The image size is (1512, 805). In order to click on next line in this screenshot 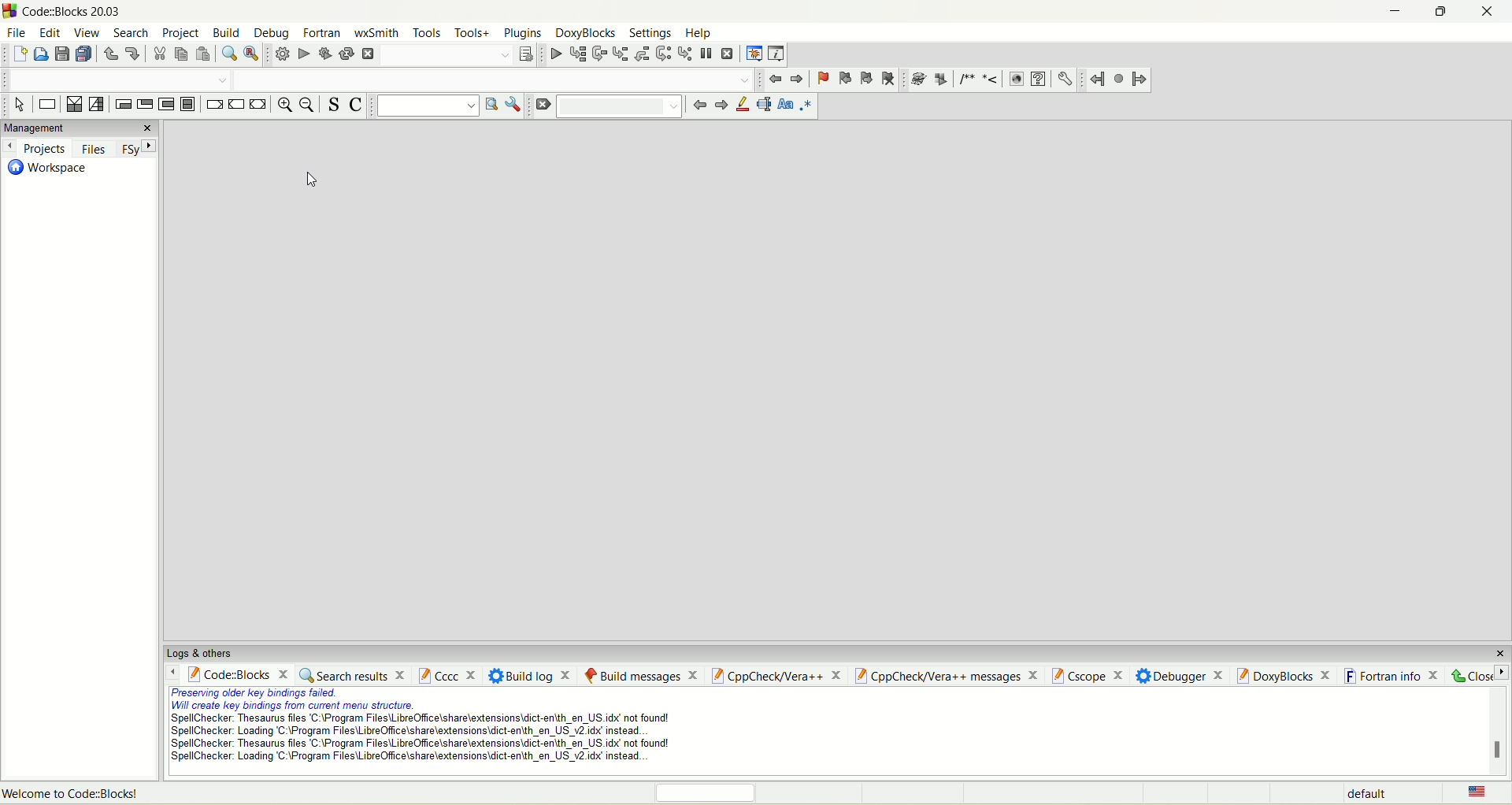, I will do `click(599, 54)`.